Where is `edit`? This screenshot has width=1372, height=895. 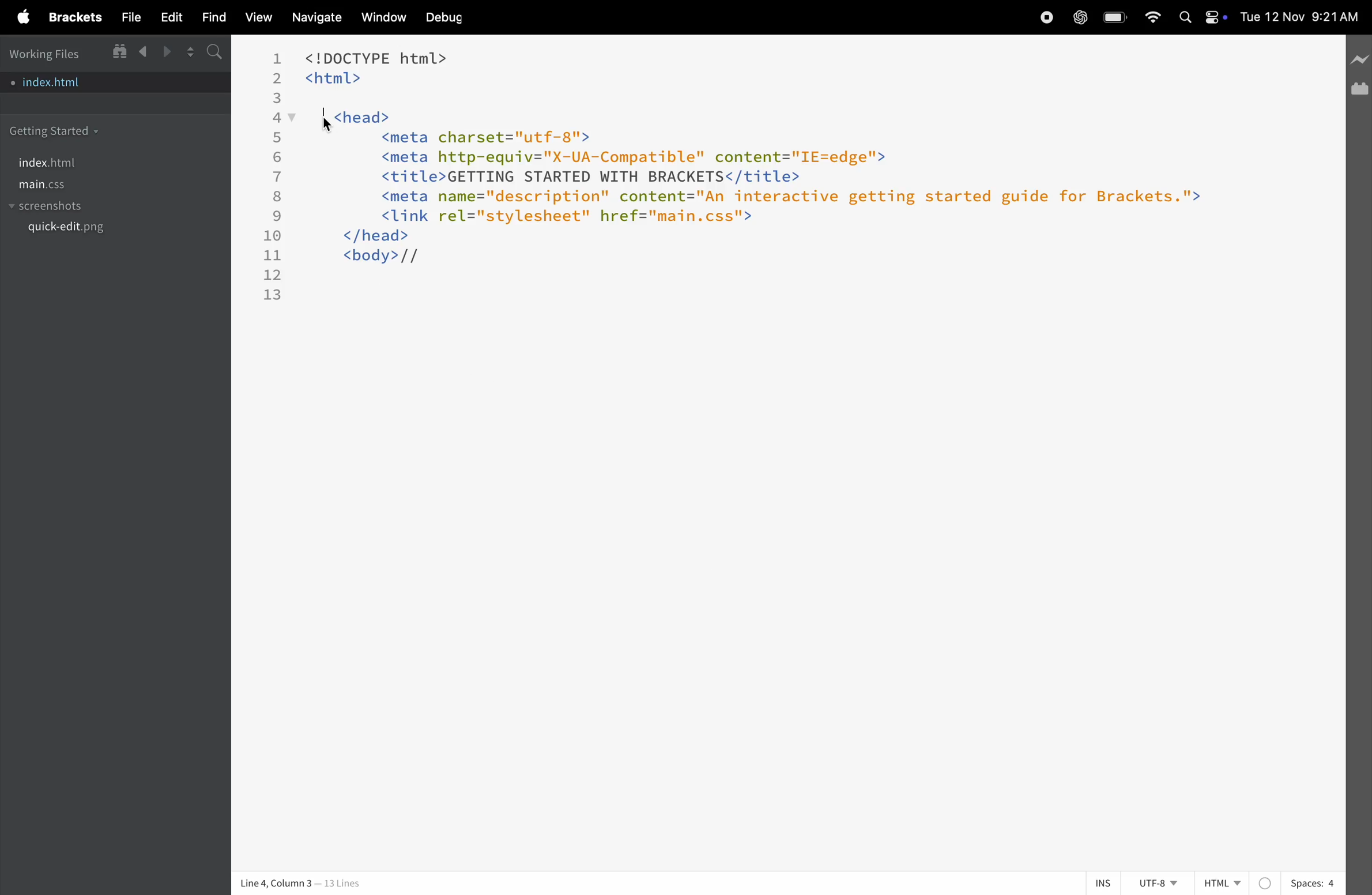 edit is located at coordinates (167, 16).